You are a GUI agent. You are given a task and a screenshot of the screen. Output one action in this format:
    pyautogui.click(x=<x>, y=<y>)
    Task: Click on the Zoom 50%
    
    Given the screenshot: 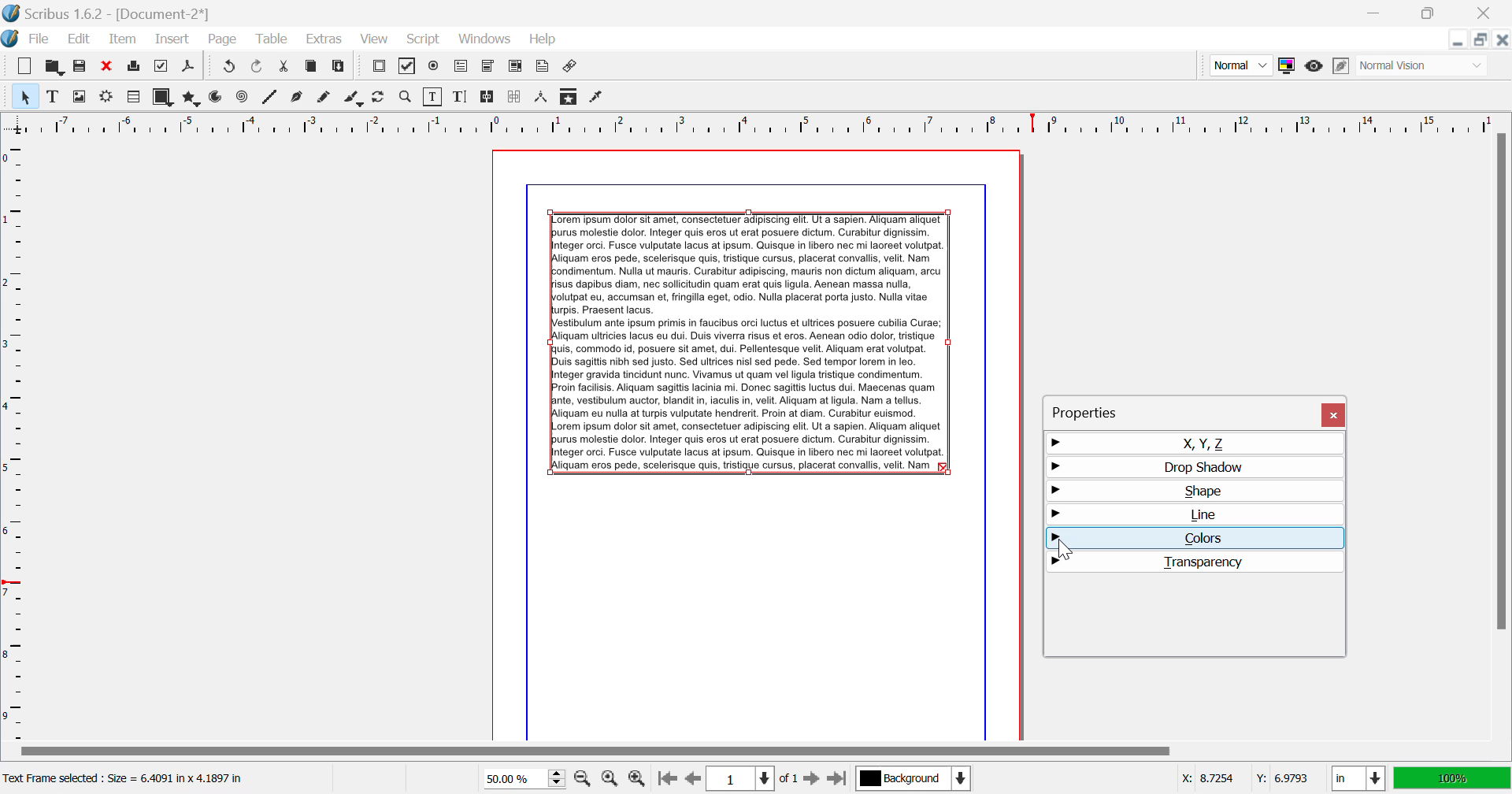 What is the action you would take?
    pyautogui.click(x=518, y=778)
    